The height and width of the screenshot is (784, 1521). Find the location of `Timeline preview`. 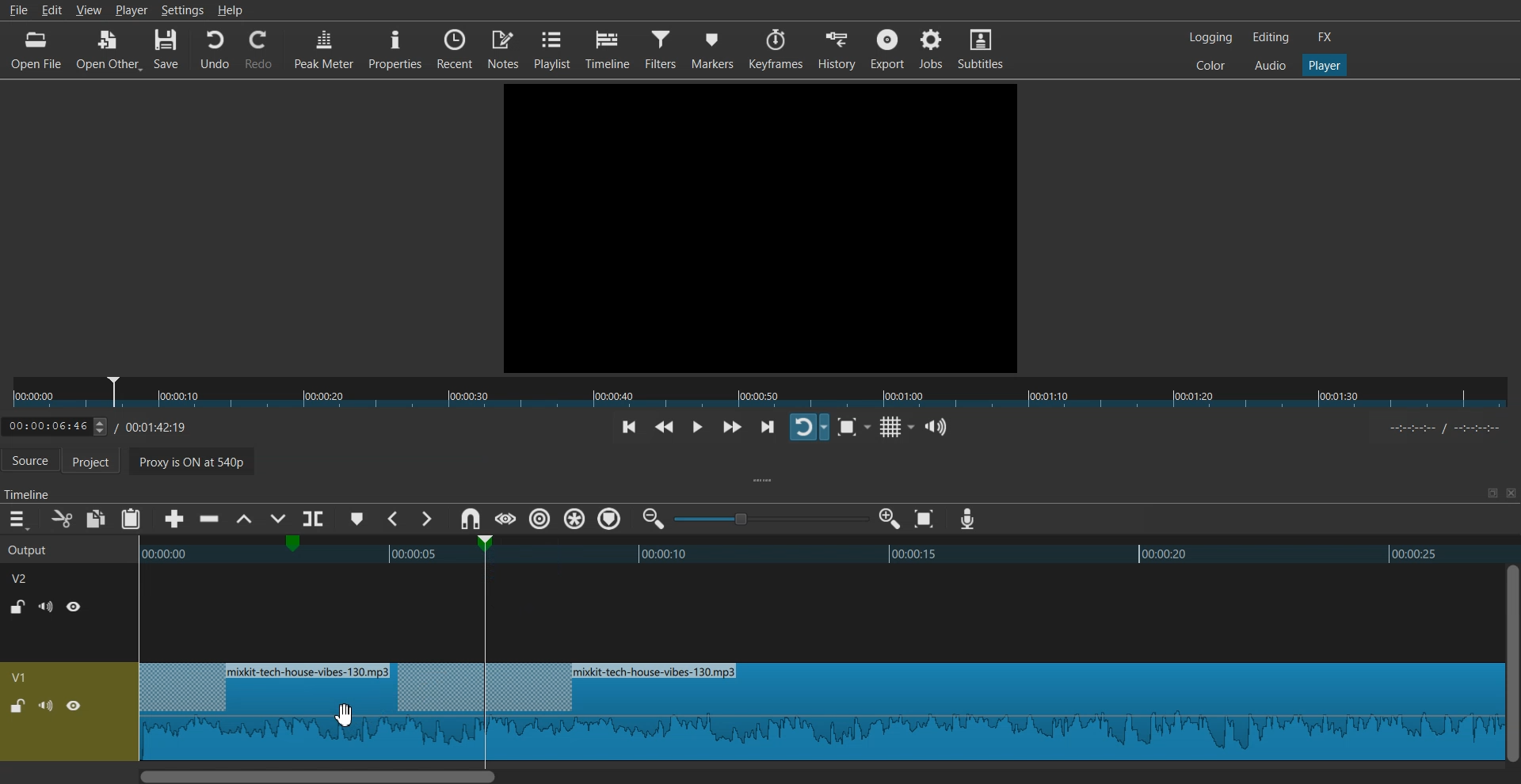

Timeline preview is located at coordinates (817, 552).